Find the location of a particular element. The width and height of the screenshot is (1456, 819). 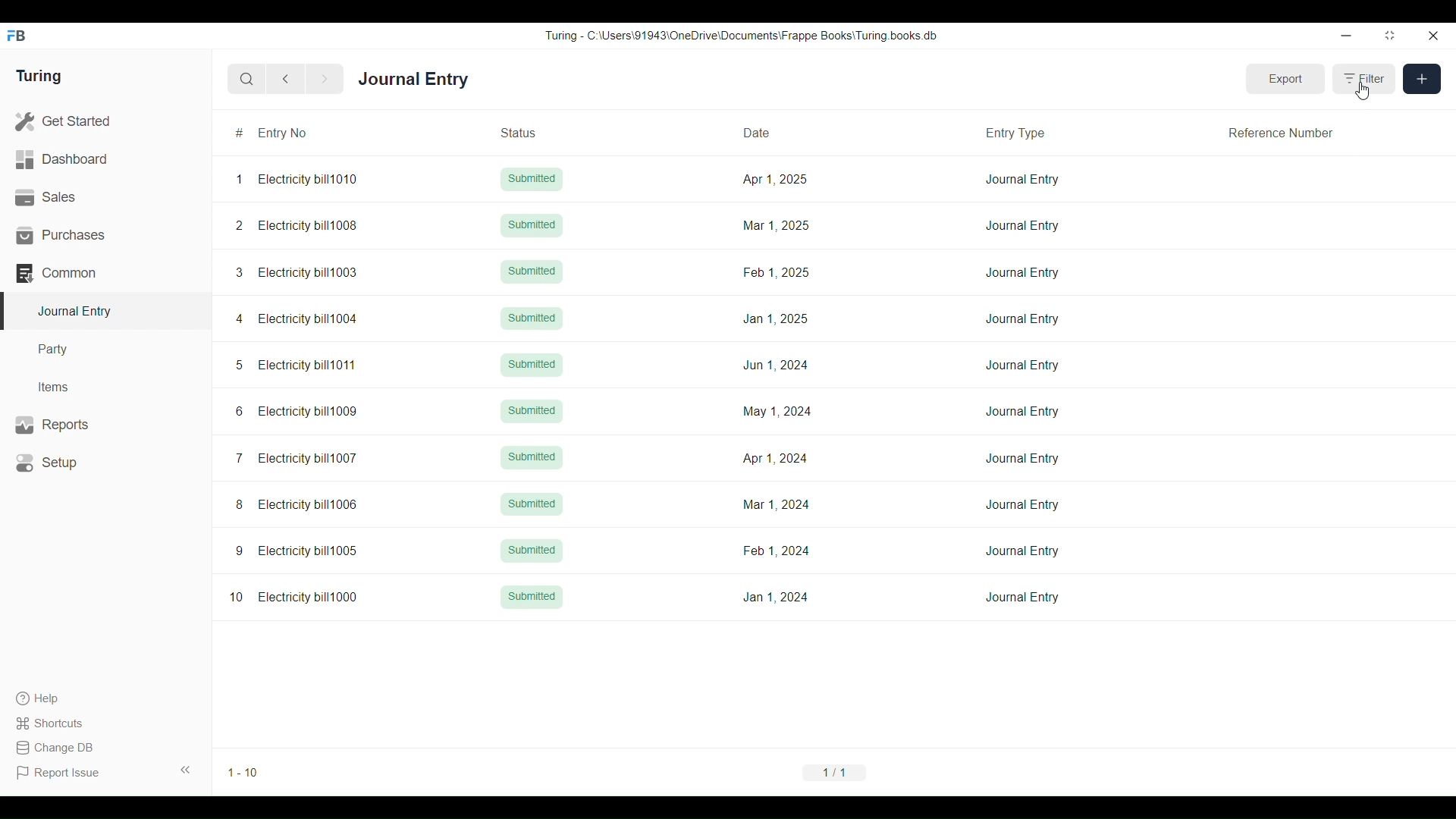

Submitted is located at coordinates (532, 412).